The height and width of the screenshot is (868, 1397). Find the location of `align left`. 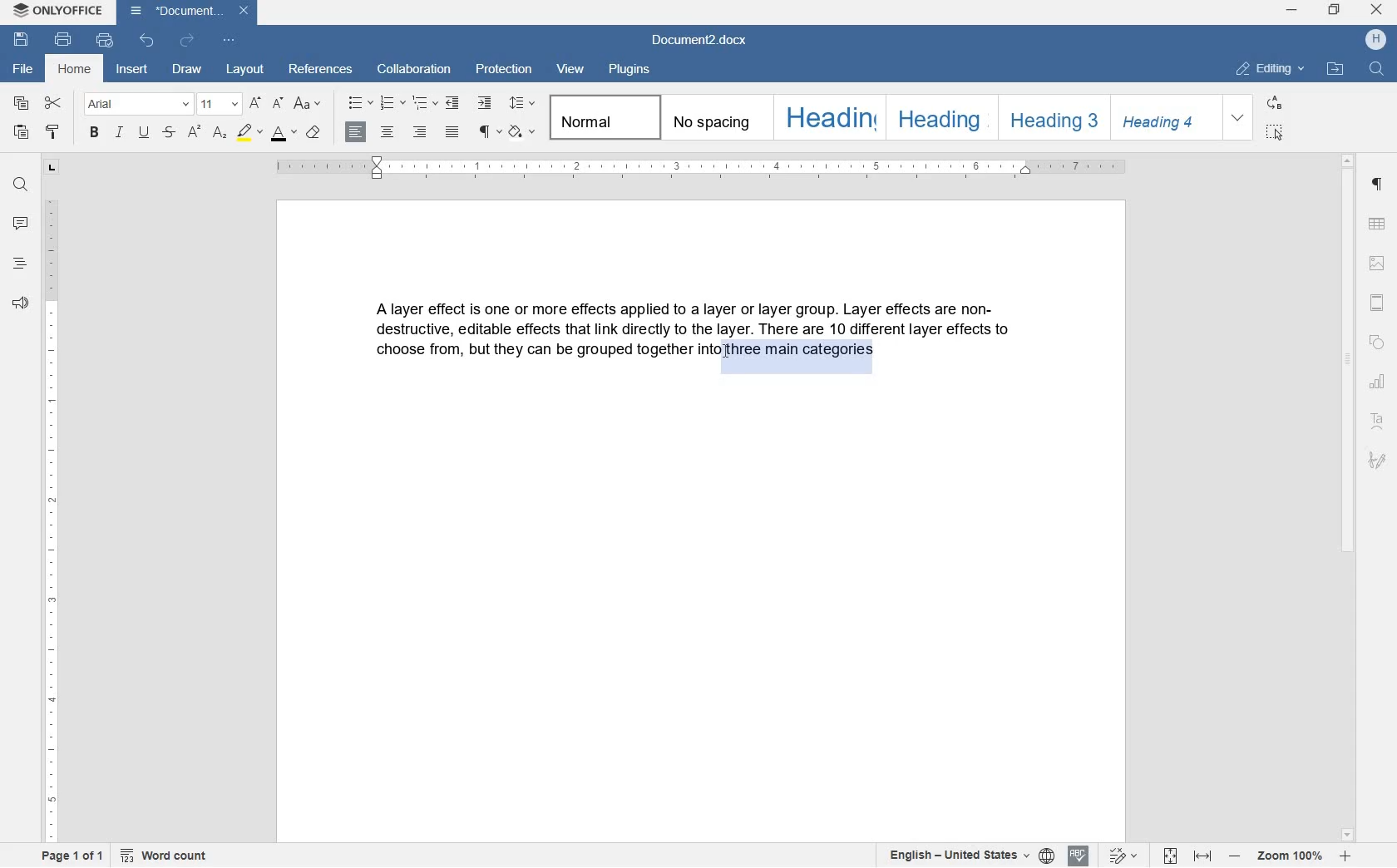

align left is located at coordinates (357, 133).